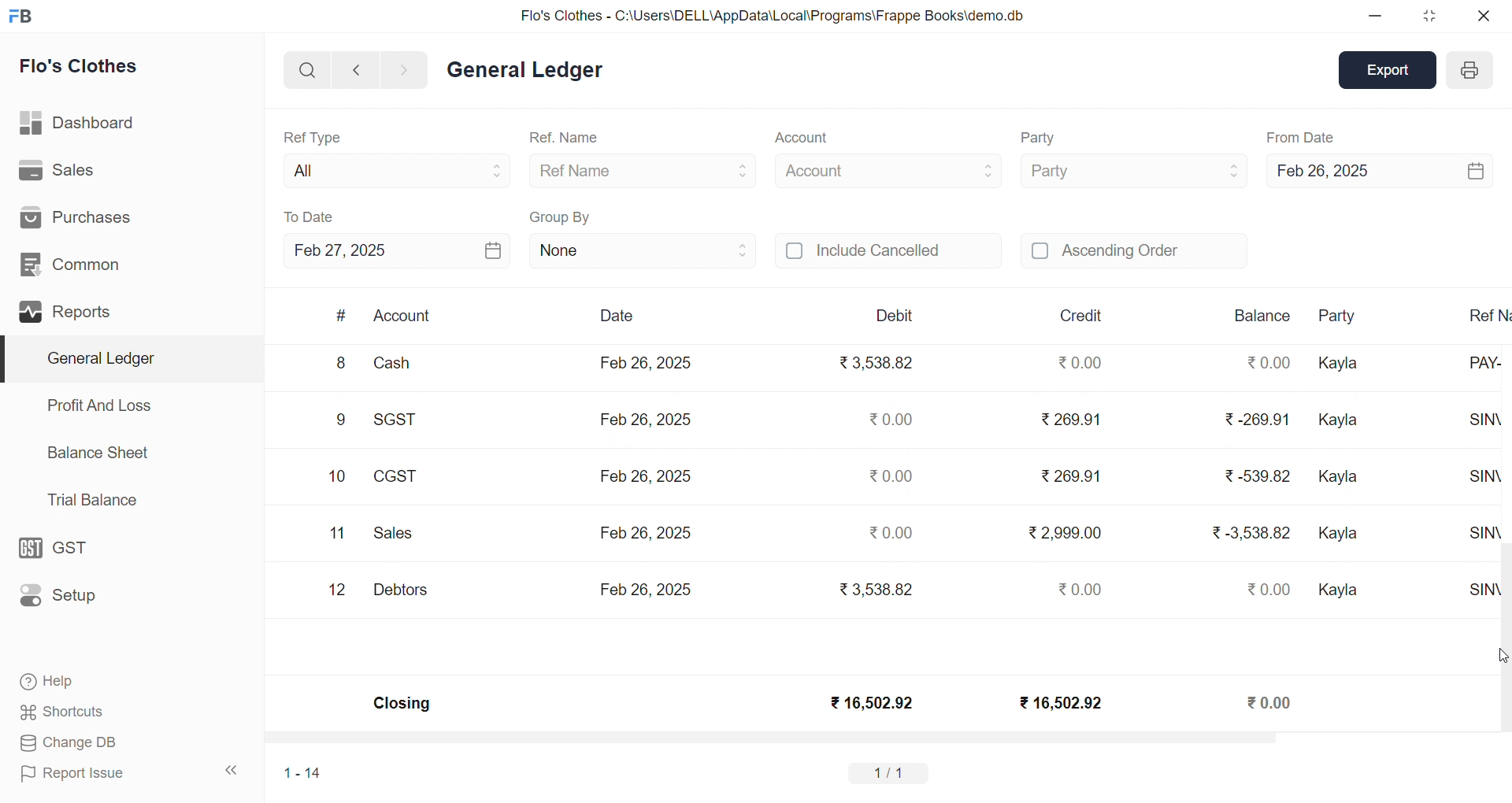 The width and height of the screenshot is (1512, 803). What do you see at coordinates (1341, 364) in the screenshot?
I see `Kayla` at bounding box center [1341, 364].